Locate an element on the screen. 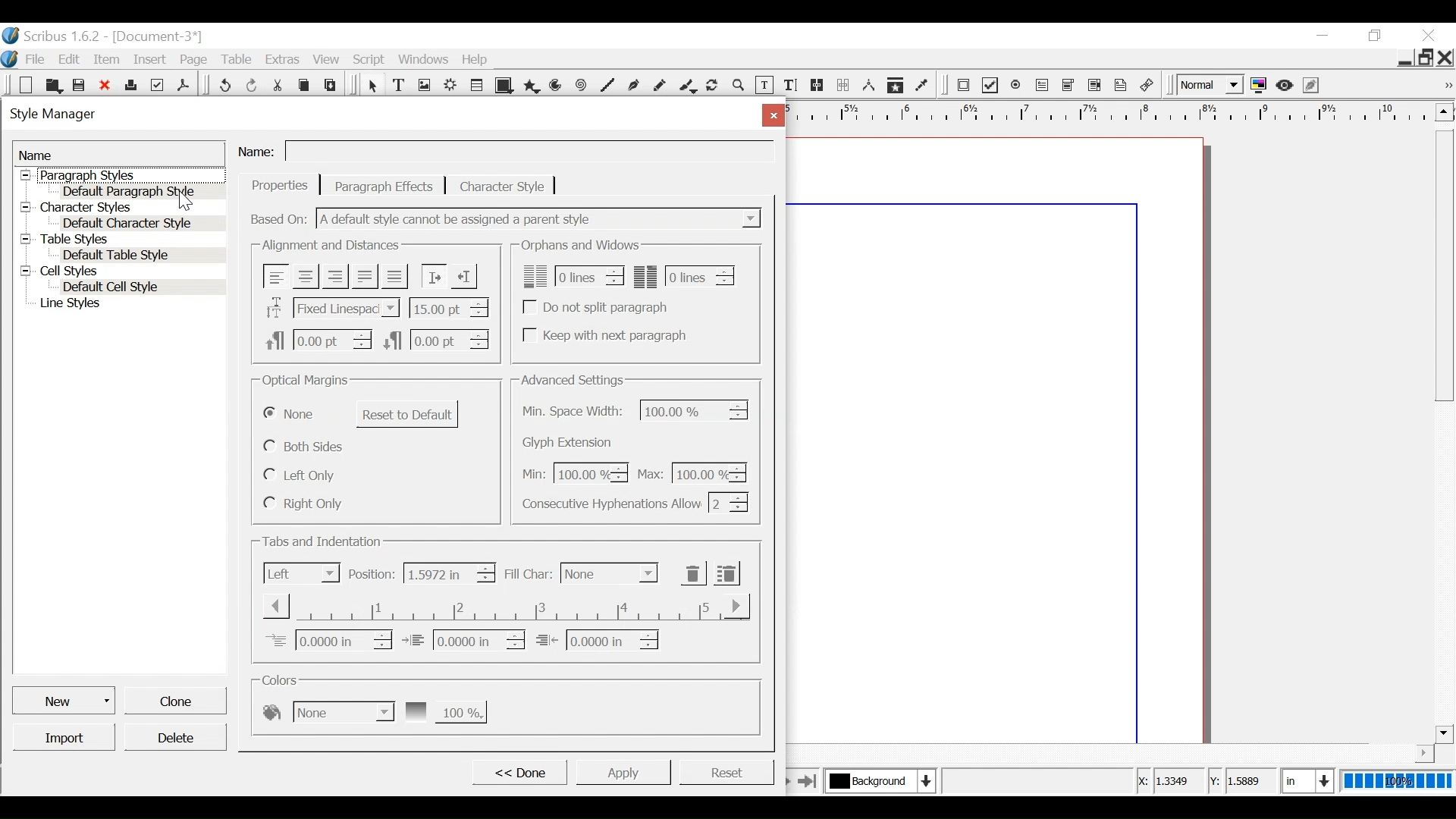 The image size is (1456, 819). Select the current unit is located at coordinates (1305, 780).